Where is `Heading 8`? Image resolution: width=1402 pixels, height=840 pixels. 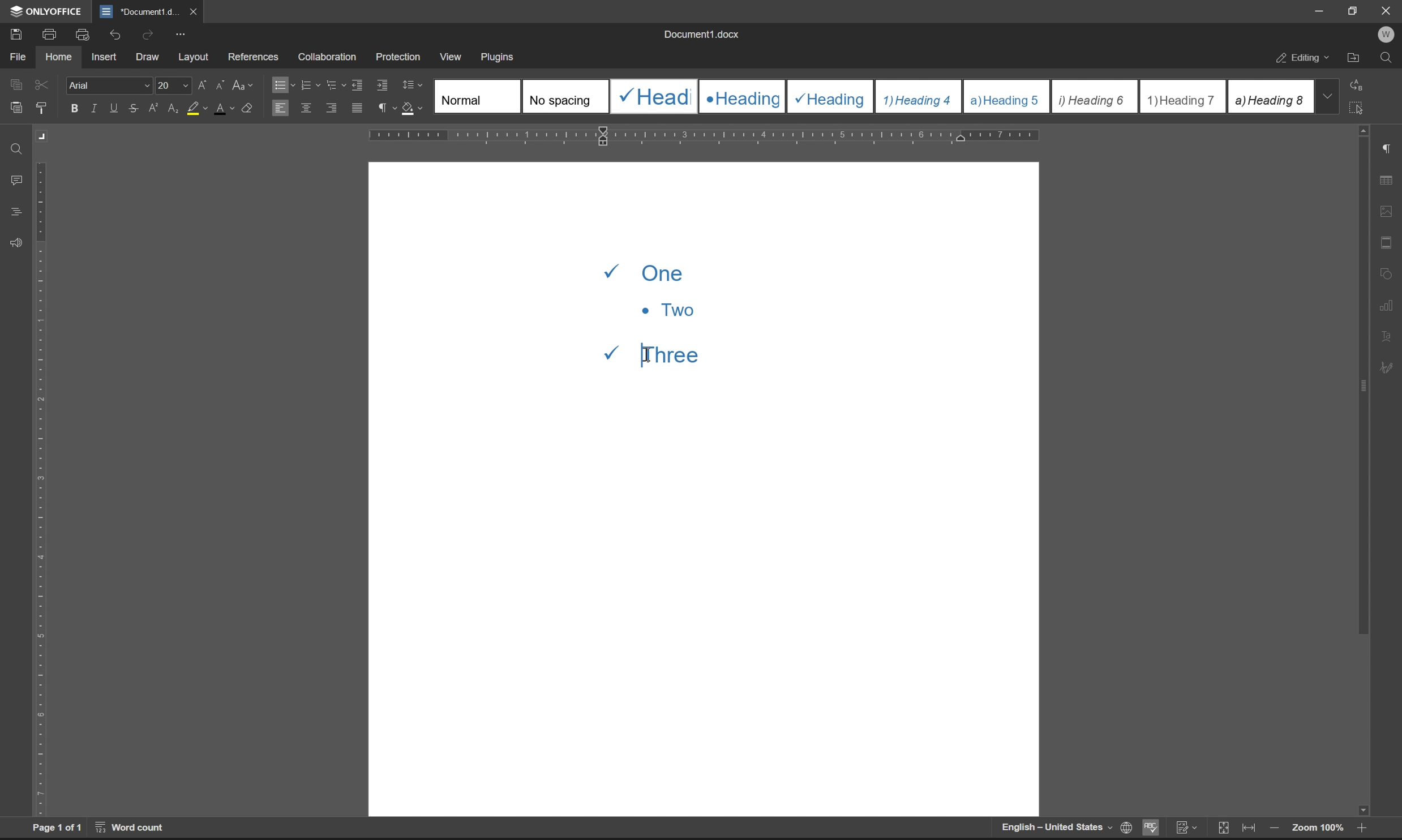 Heading 8 is located at coordinates (1270, 96).